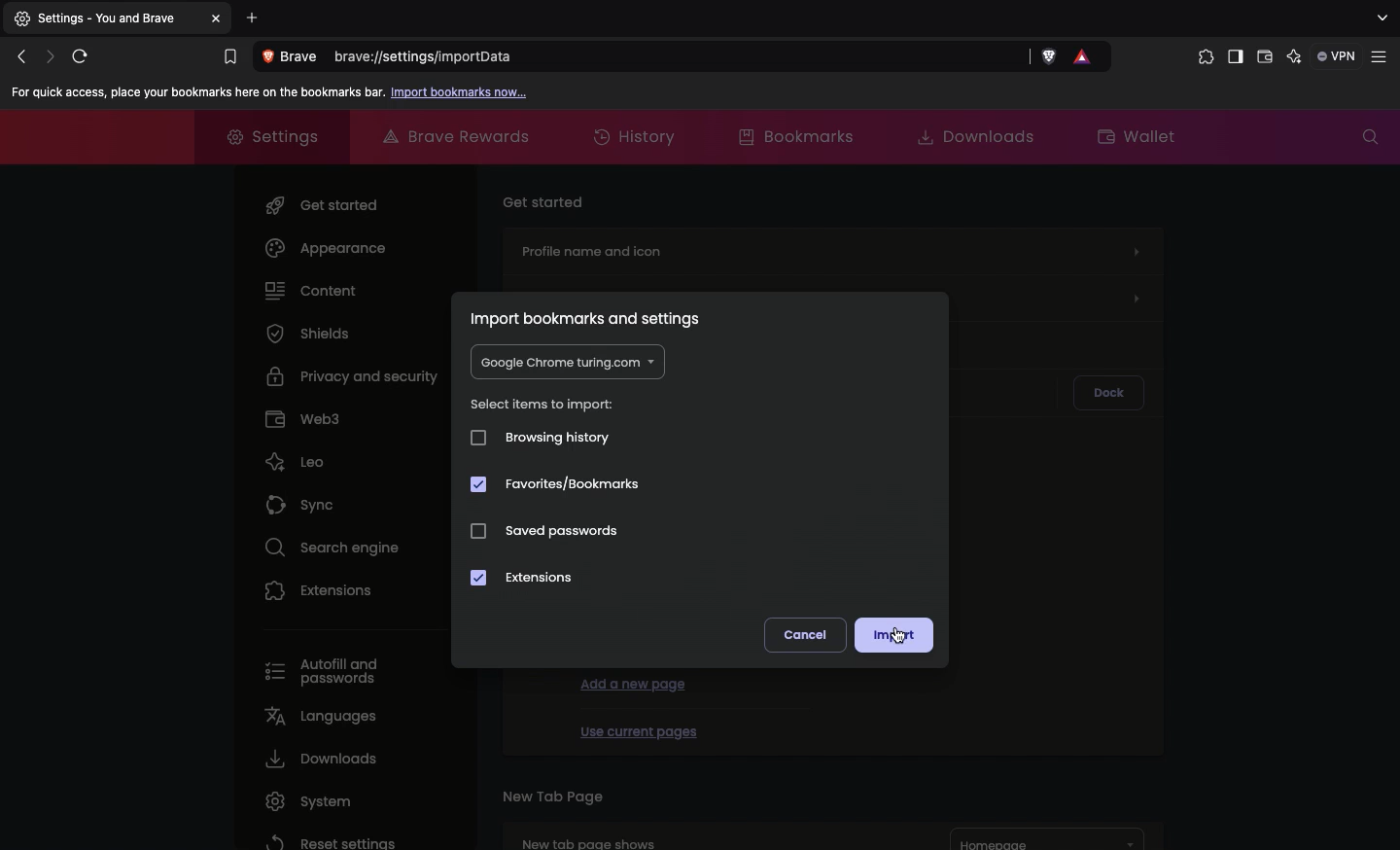  I want to click on Sync, so click(304, 500).